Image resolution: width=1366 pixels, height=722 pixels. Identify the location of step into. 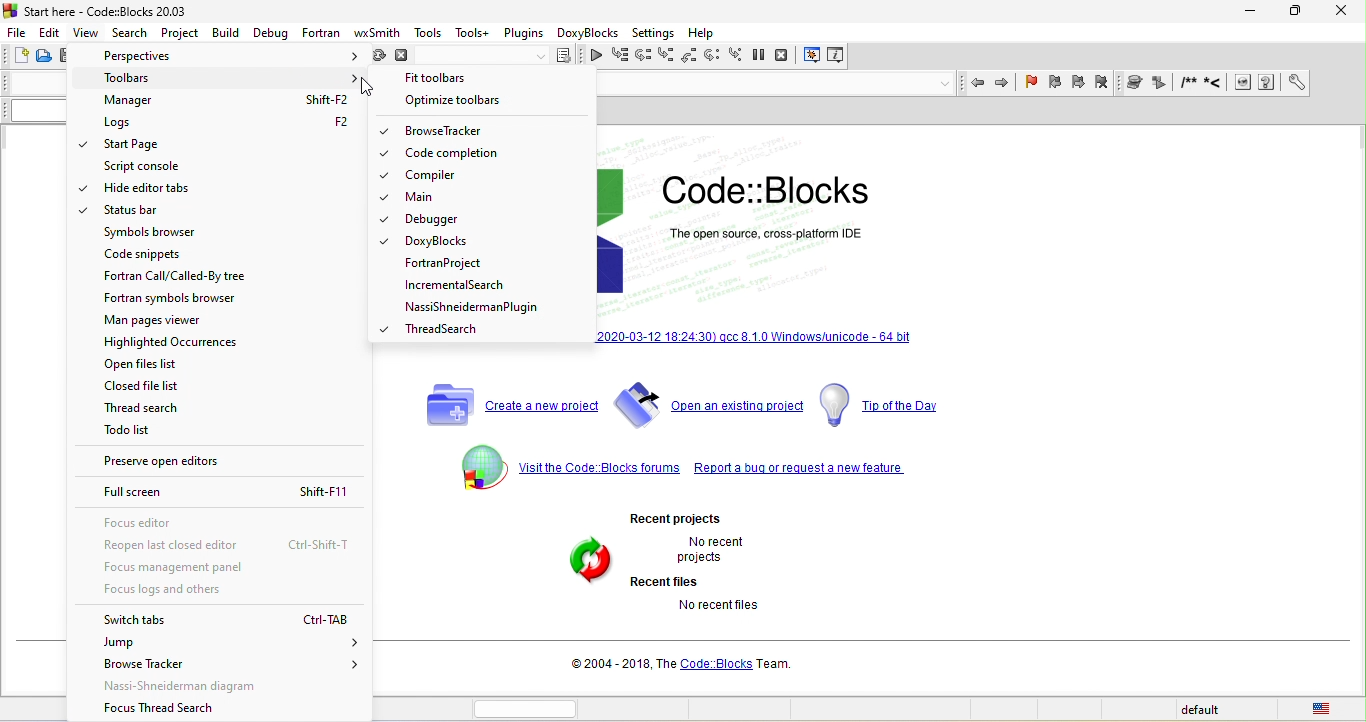
(668, 56).